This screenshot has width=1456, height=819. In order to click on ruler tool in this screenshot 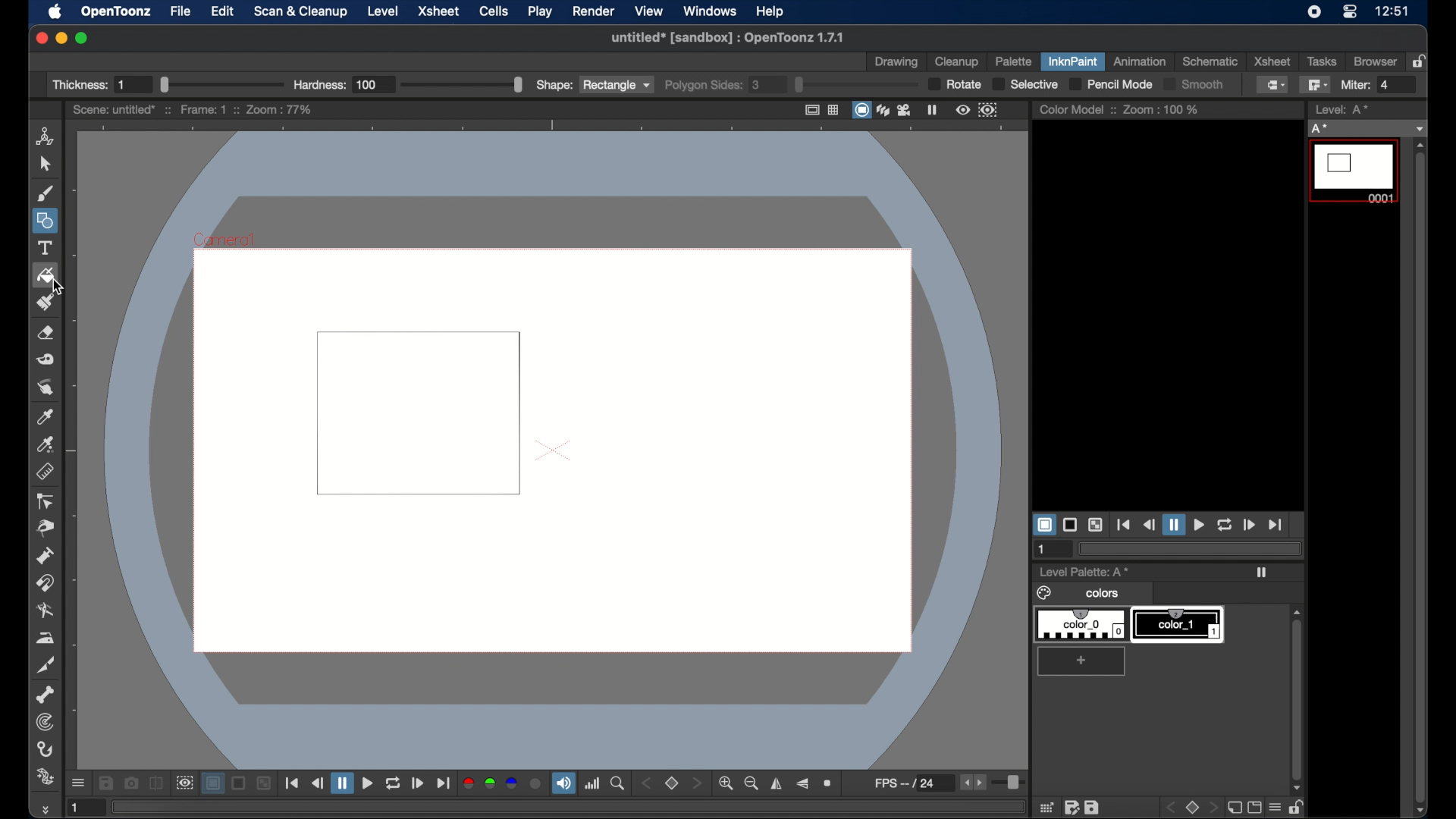, I will do `click(45, 472)`.